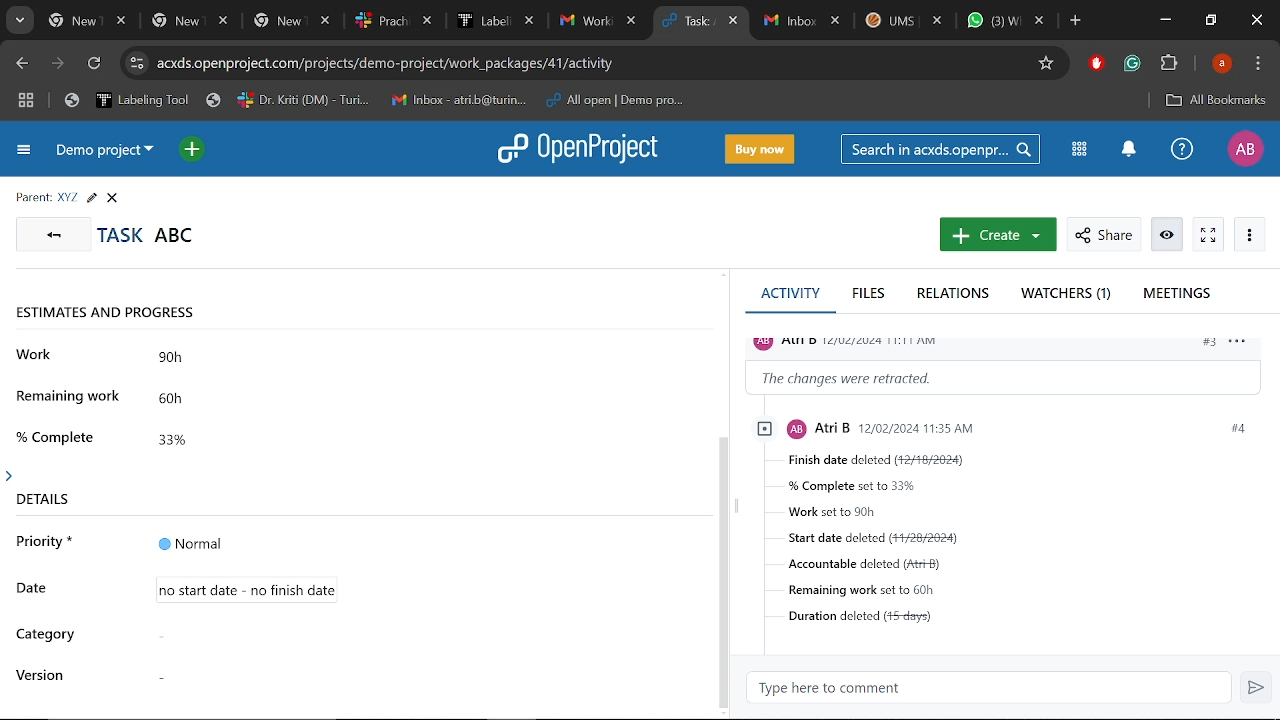  Describe the element at coordinates (1068, 294) in the screenshot. I see `Watchers` at that location.